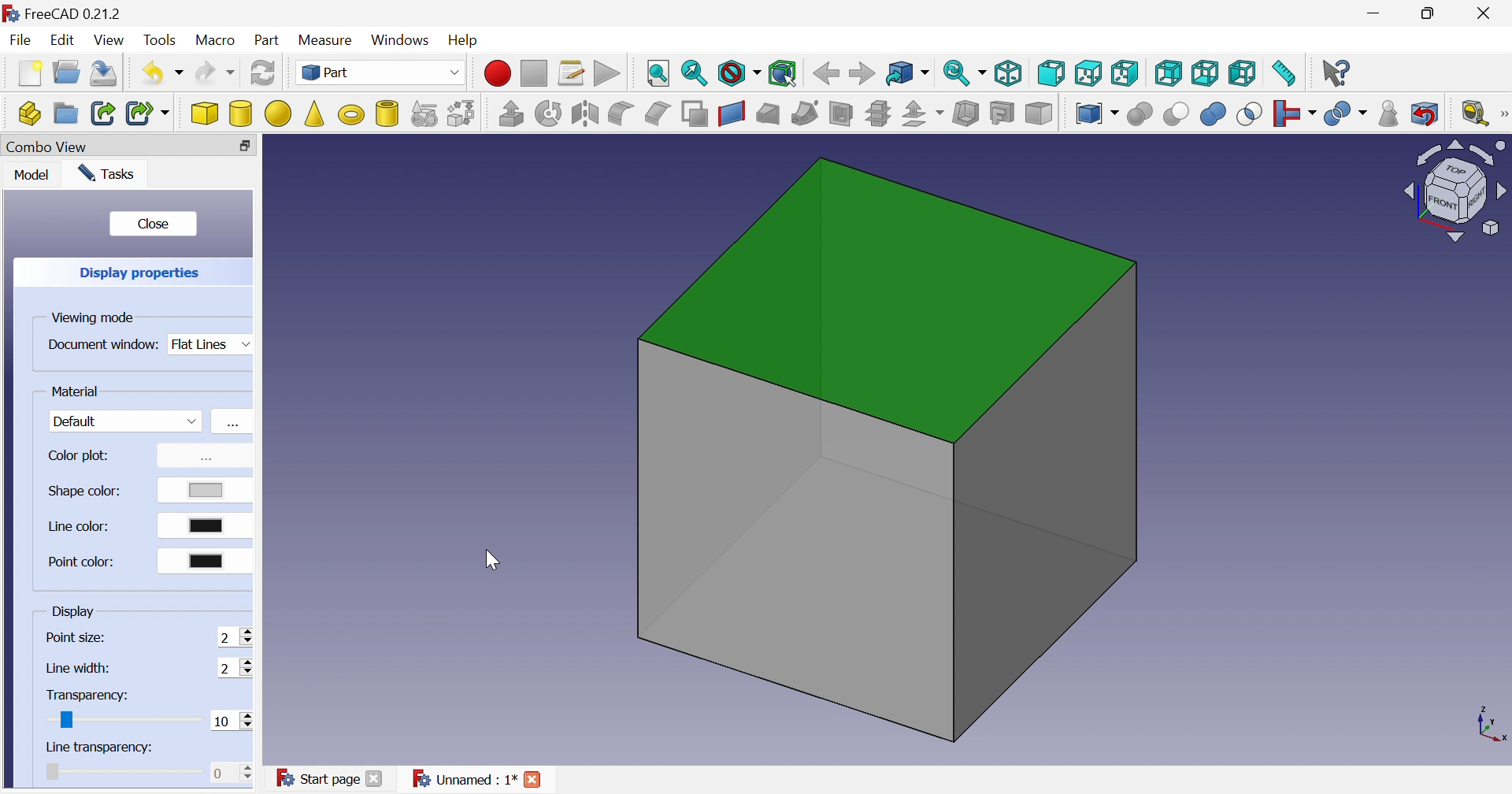 This screenshot has height=794, width=1512. Describe the element at coordinates (218, 147) in the screenshot. I see `Restore down` at that location.